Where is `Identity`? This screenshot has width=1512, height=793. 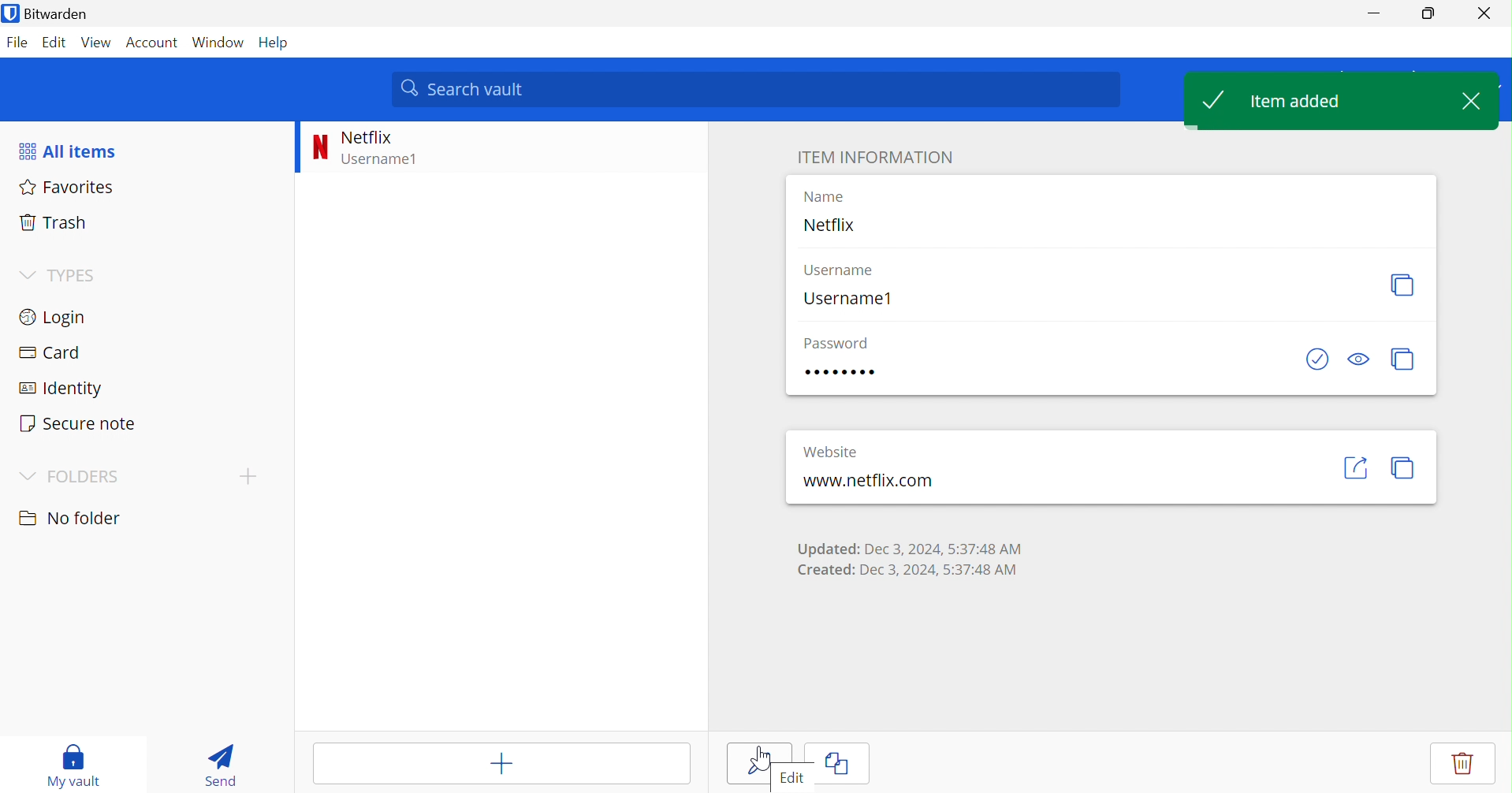
Identity is located at coordinates (57, 387).